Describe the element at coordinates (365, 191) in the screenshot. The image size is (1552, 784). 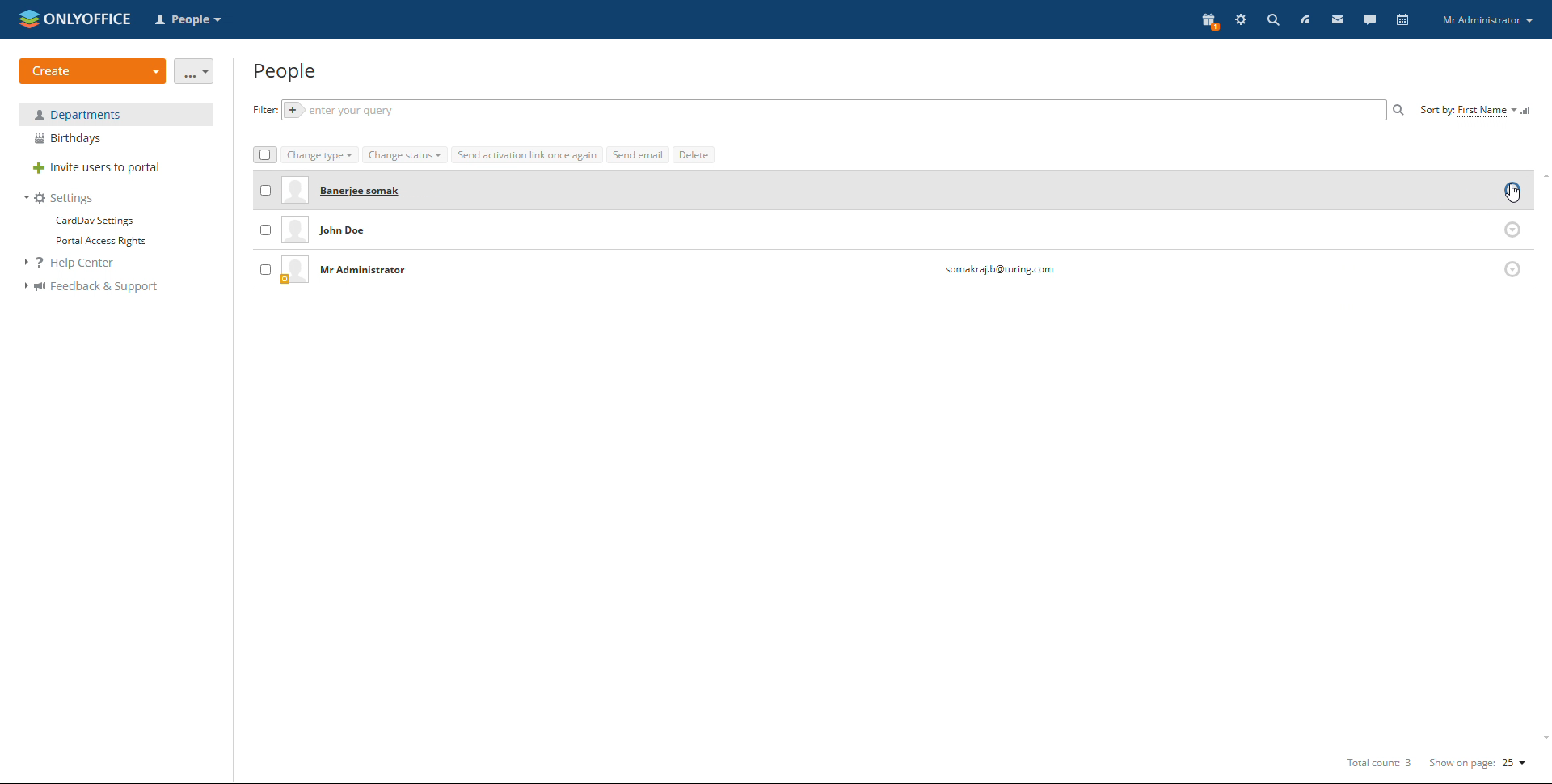
I see `Banerje somak` at that location.